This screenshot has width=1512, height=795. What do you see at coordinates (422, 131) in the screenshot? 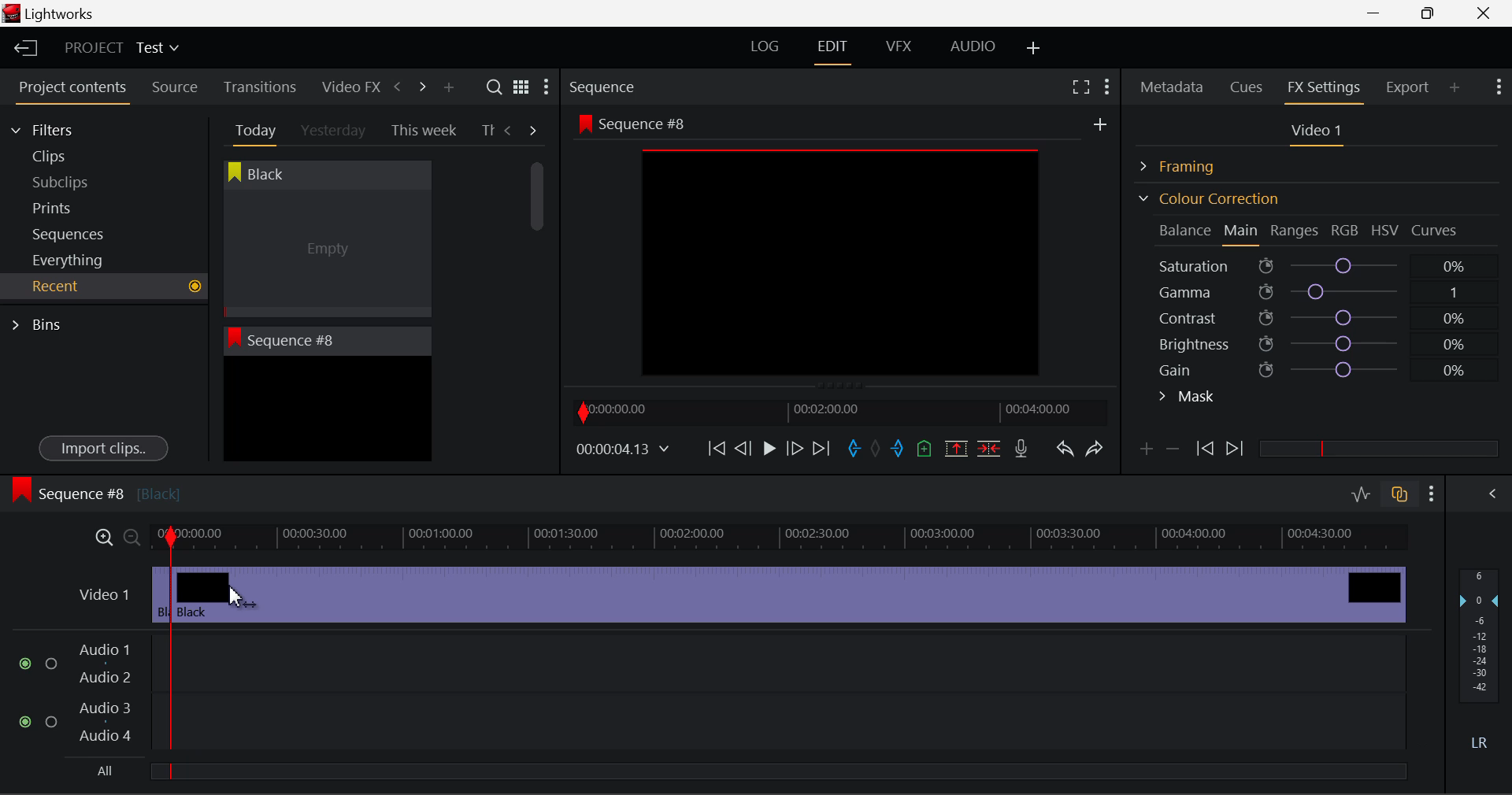
I see `This week Tab` at bounding box center [422, 131].